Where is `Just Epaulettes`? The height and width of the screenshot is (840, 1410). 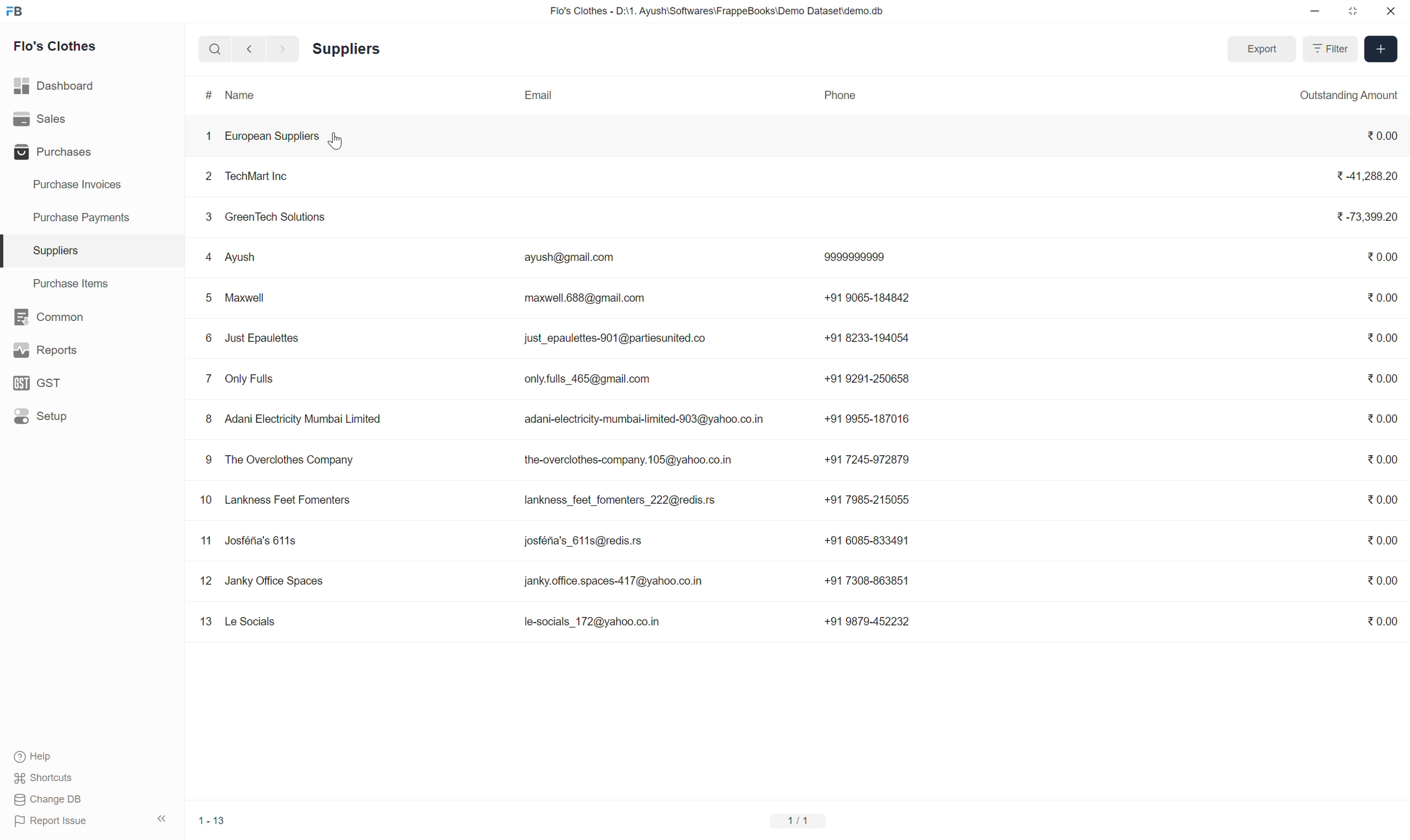 Just Epaulettes is located at coordinates (268, 337).